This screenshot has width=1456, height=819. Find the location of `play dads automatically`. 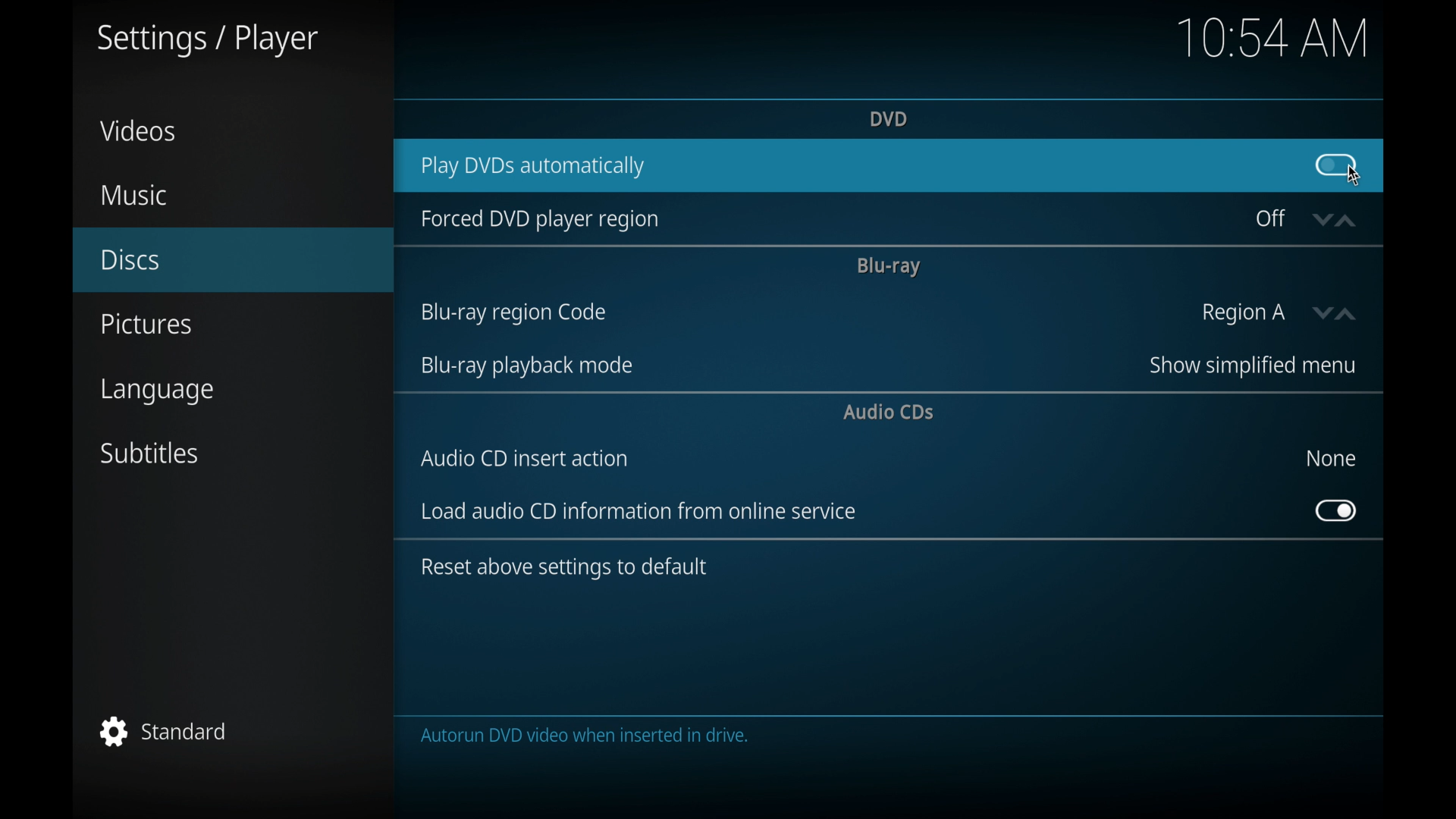

play dads automatically is located at coordinates (532, 168).